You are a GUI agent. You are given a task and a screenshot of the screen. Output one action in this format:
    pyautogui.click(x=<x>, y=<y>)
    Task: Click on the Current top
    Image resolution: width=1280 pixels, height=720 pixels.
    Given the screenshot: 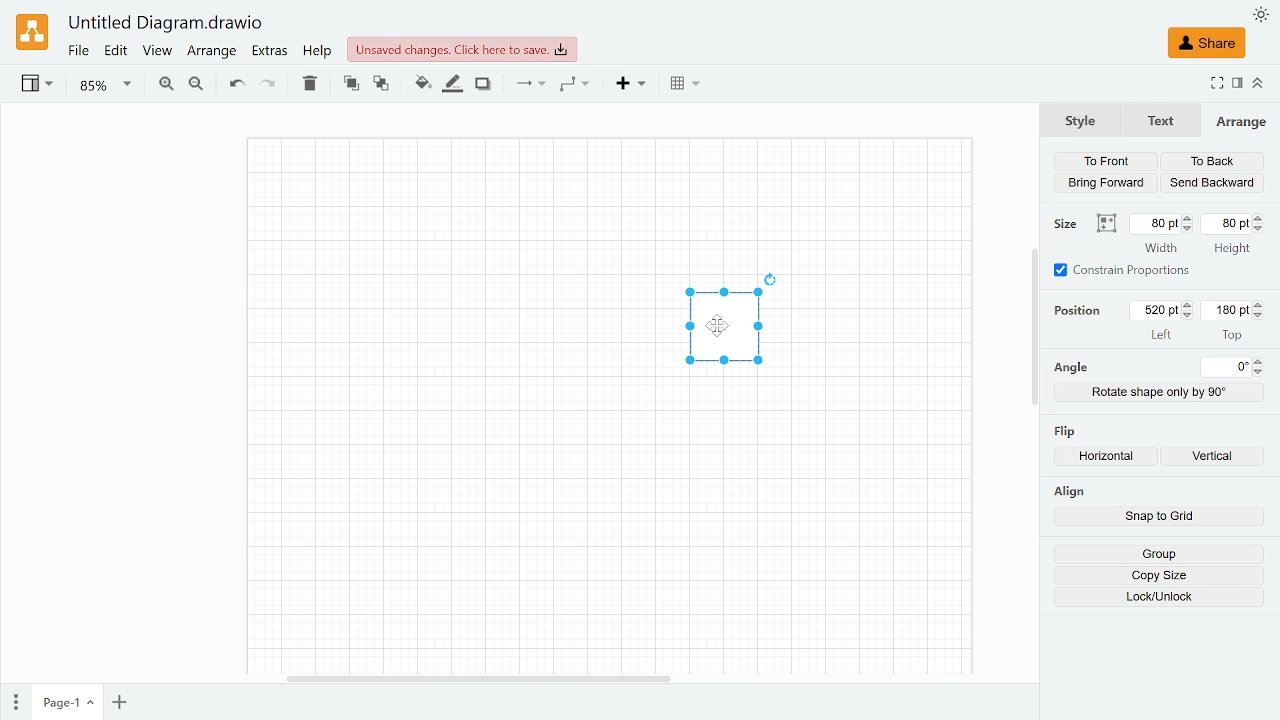 What is the action you would take?
    pyautogui.click(x=1225, y=310)
    